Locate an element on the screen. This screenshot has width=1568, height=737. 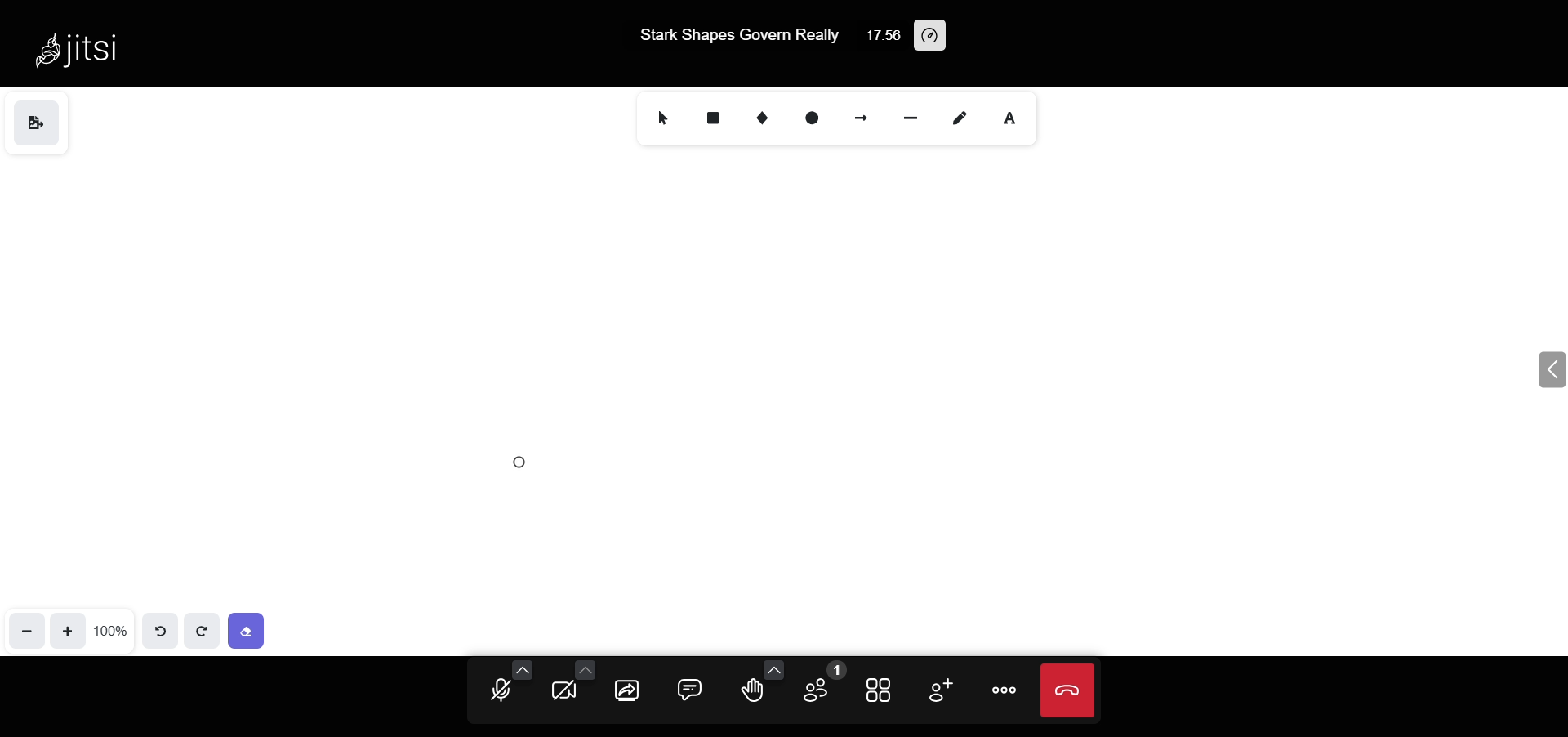
more camera setting is located at coordinates (585, 667).